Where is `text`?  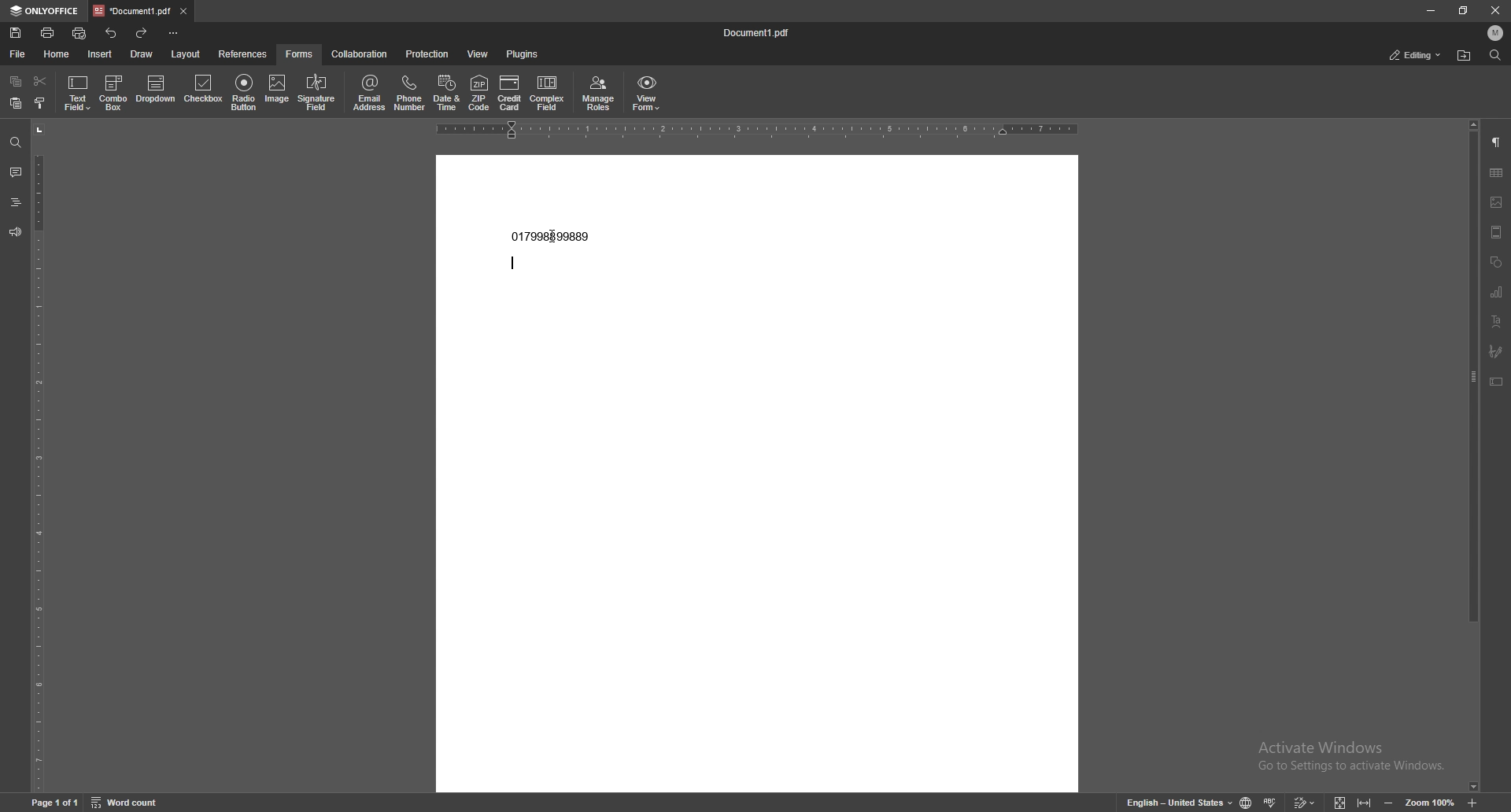 text is located at coordinates (552, 236).